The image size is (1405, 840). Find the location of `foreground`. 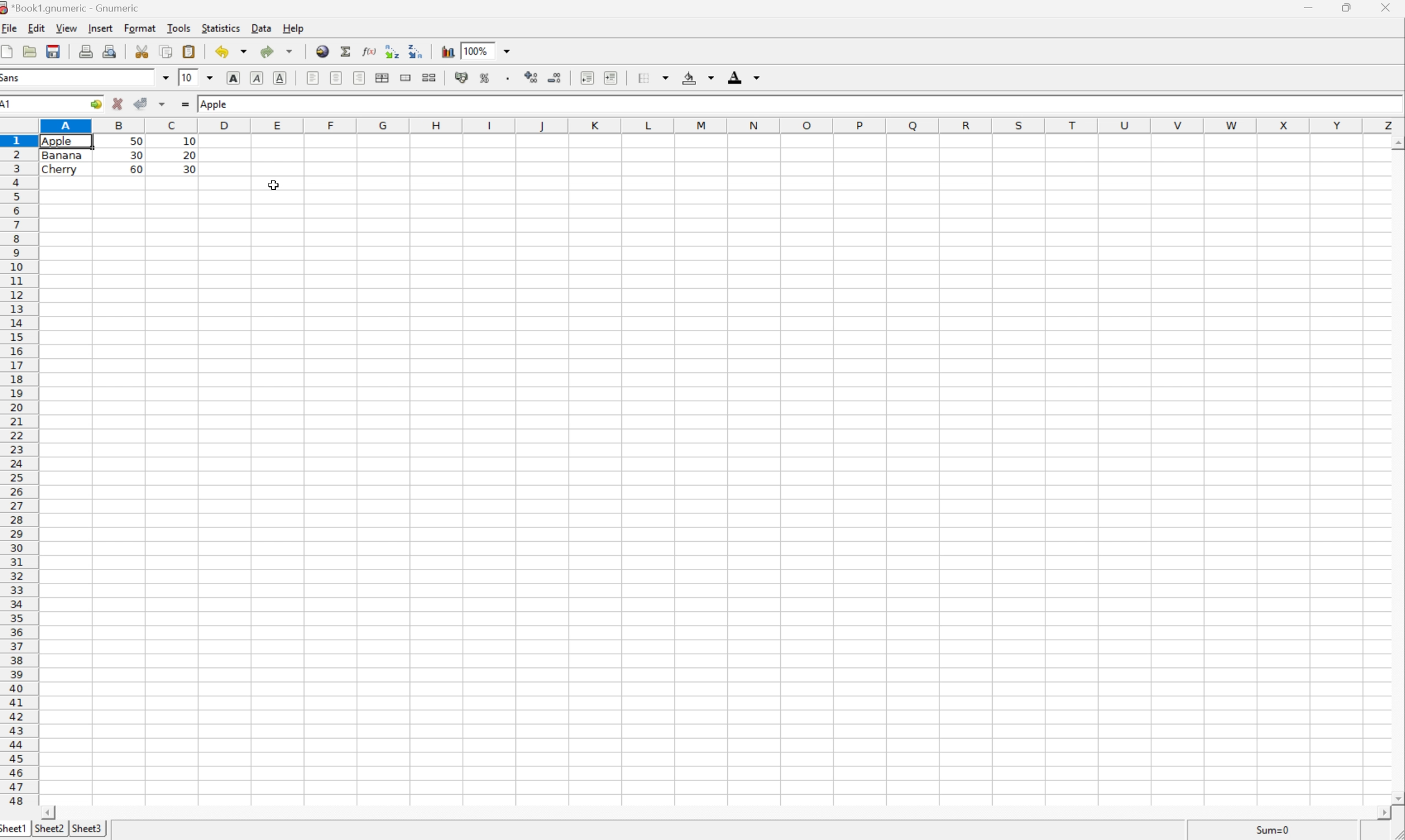

foreground is located at coordinates (746, 76).